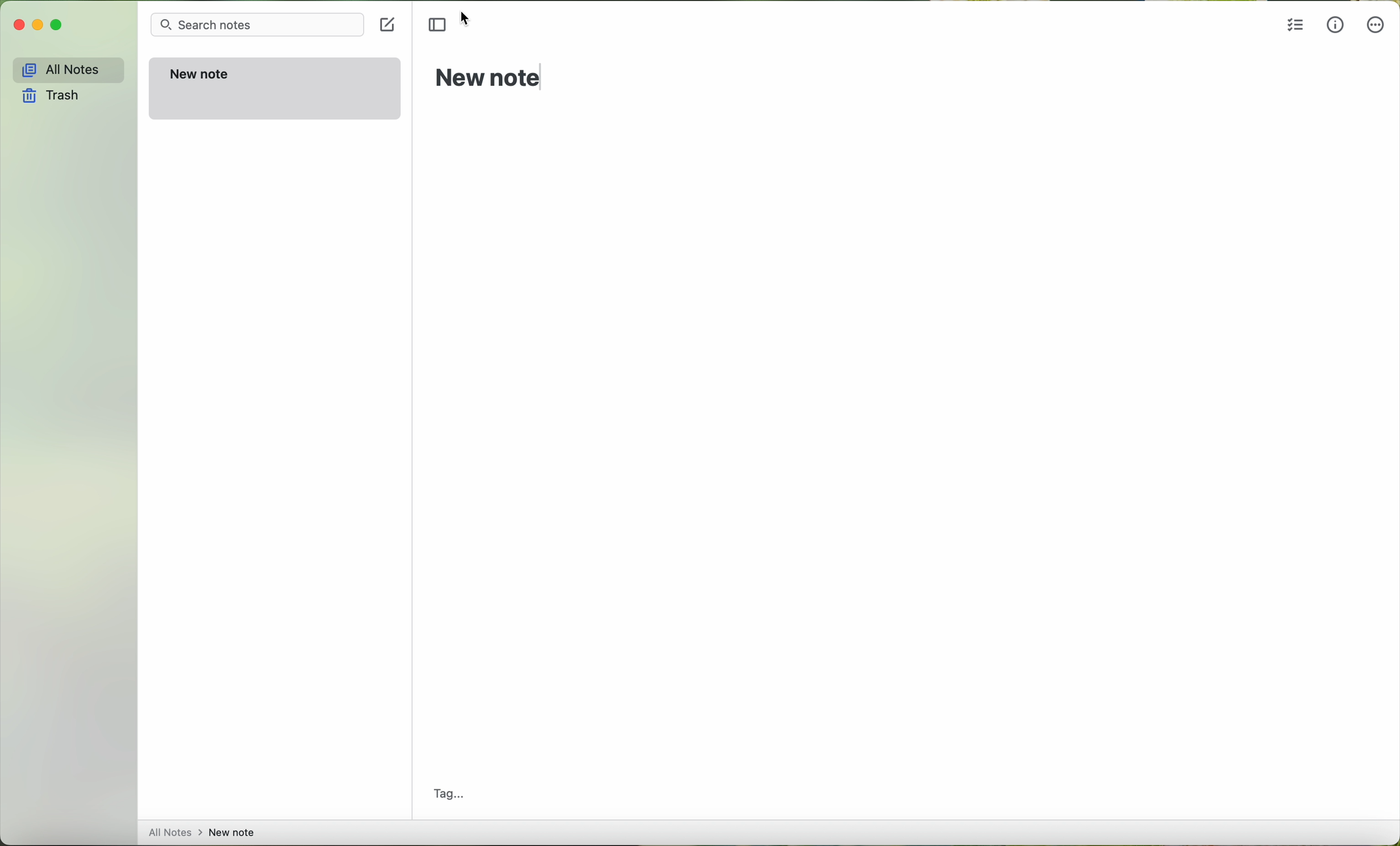 The width and height of the screenshot is (1400, 846). Describe the element at coordinates (1295, 28) in the screenshot. I see `insert checklist` at that location.